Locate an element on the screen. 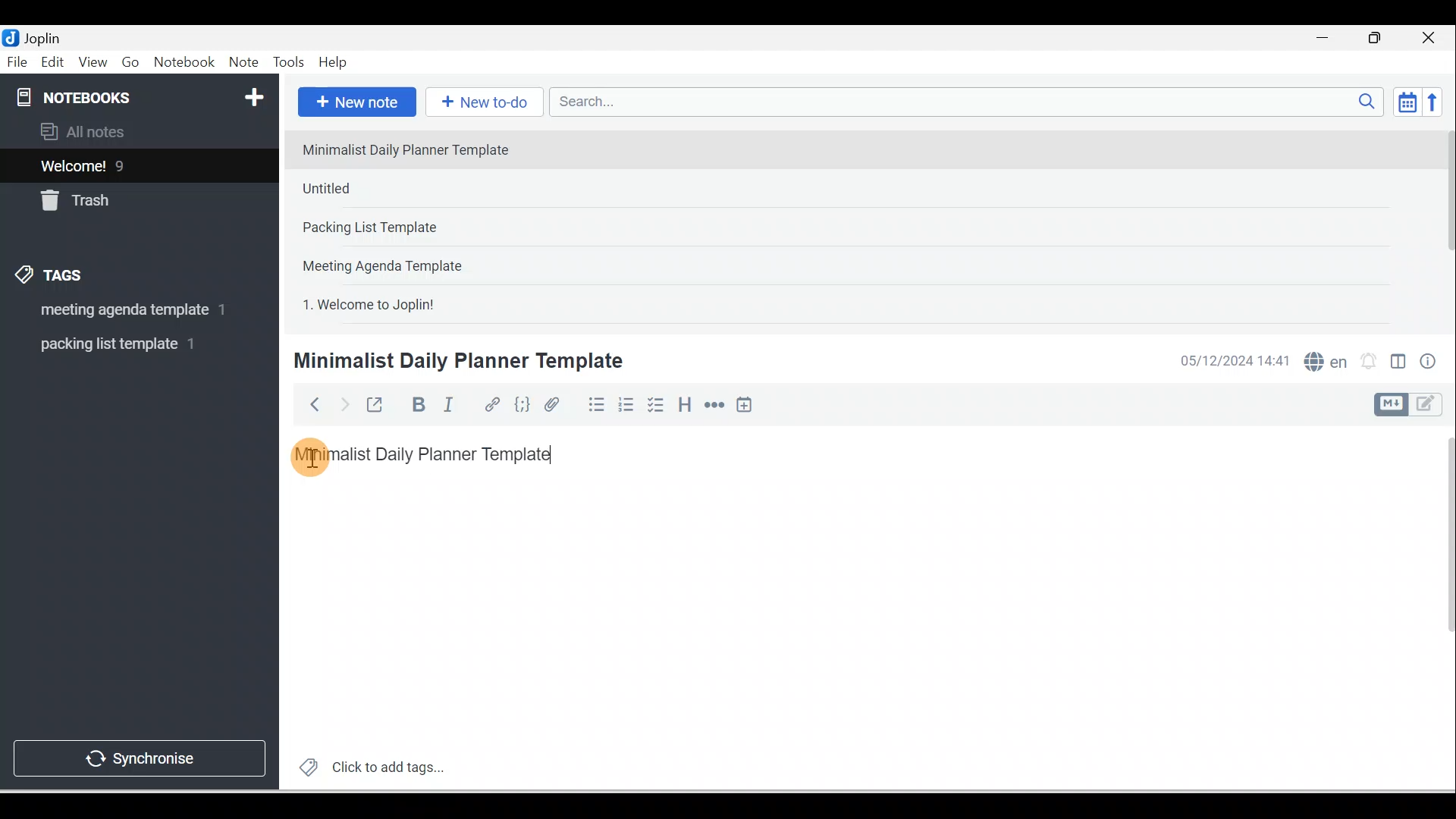 Image resolution: width=1456 pixels, height=819 pixels. Note properties is located at coordinates (1429, 363).